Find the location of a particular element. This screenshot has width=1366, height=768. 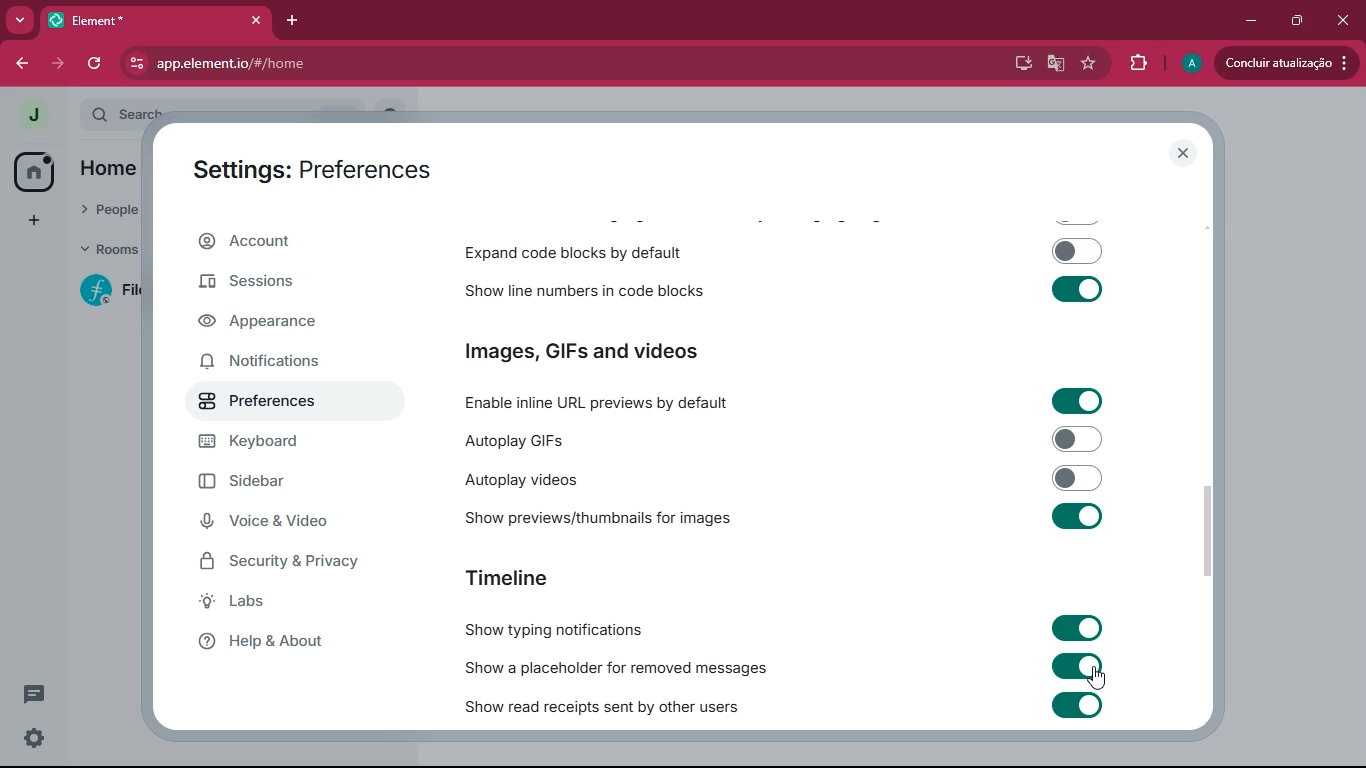

toggle on/off is located at coordinates (1076, 705).